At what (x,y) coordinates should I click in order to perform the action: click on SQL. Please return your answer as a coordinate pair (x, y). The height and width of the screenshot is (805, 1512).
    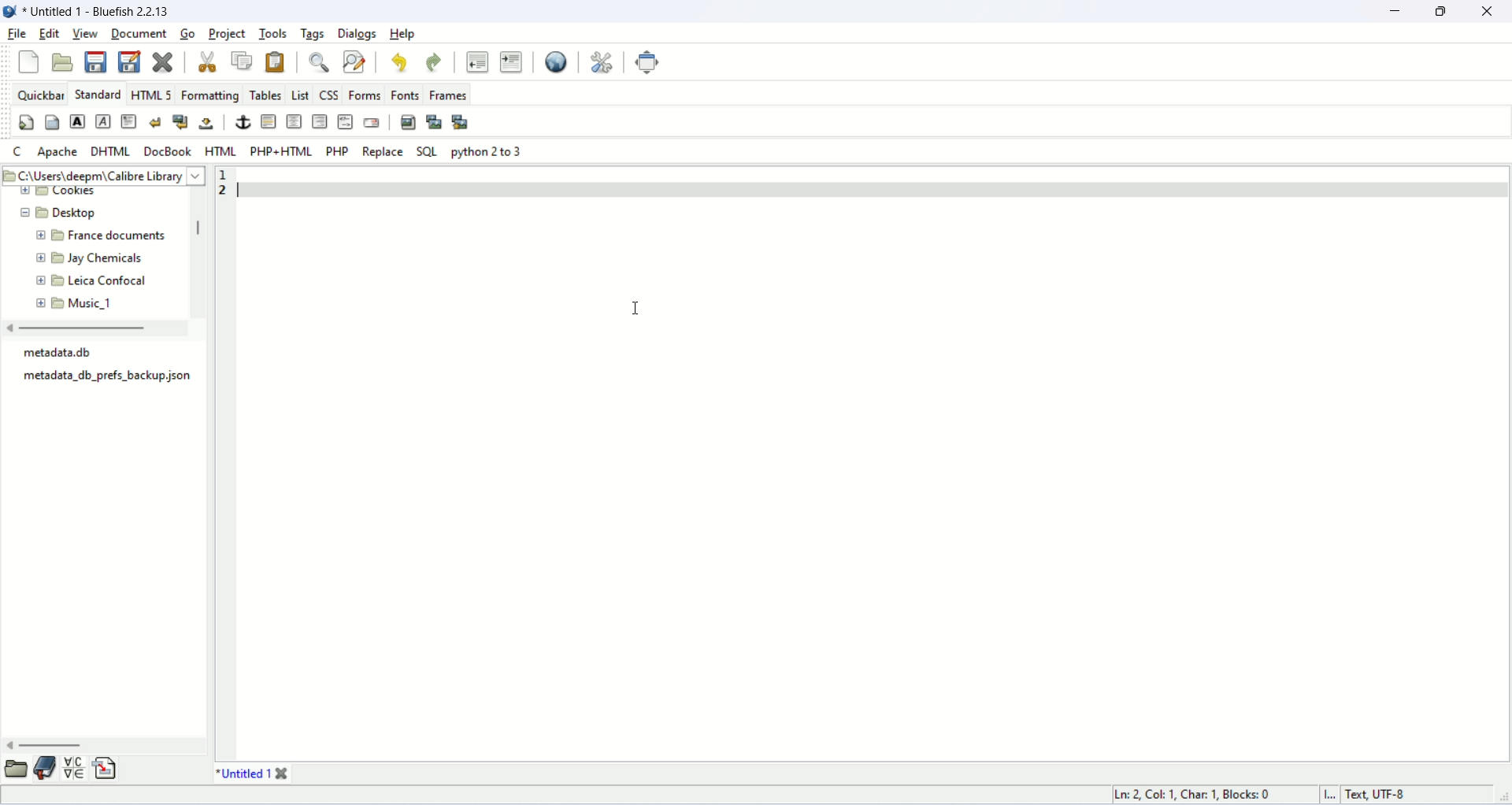
    Looking at the image, I should click on (427, 150).